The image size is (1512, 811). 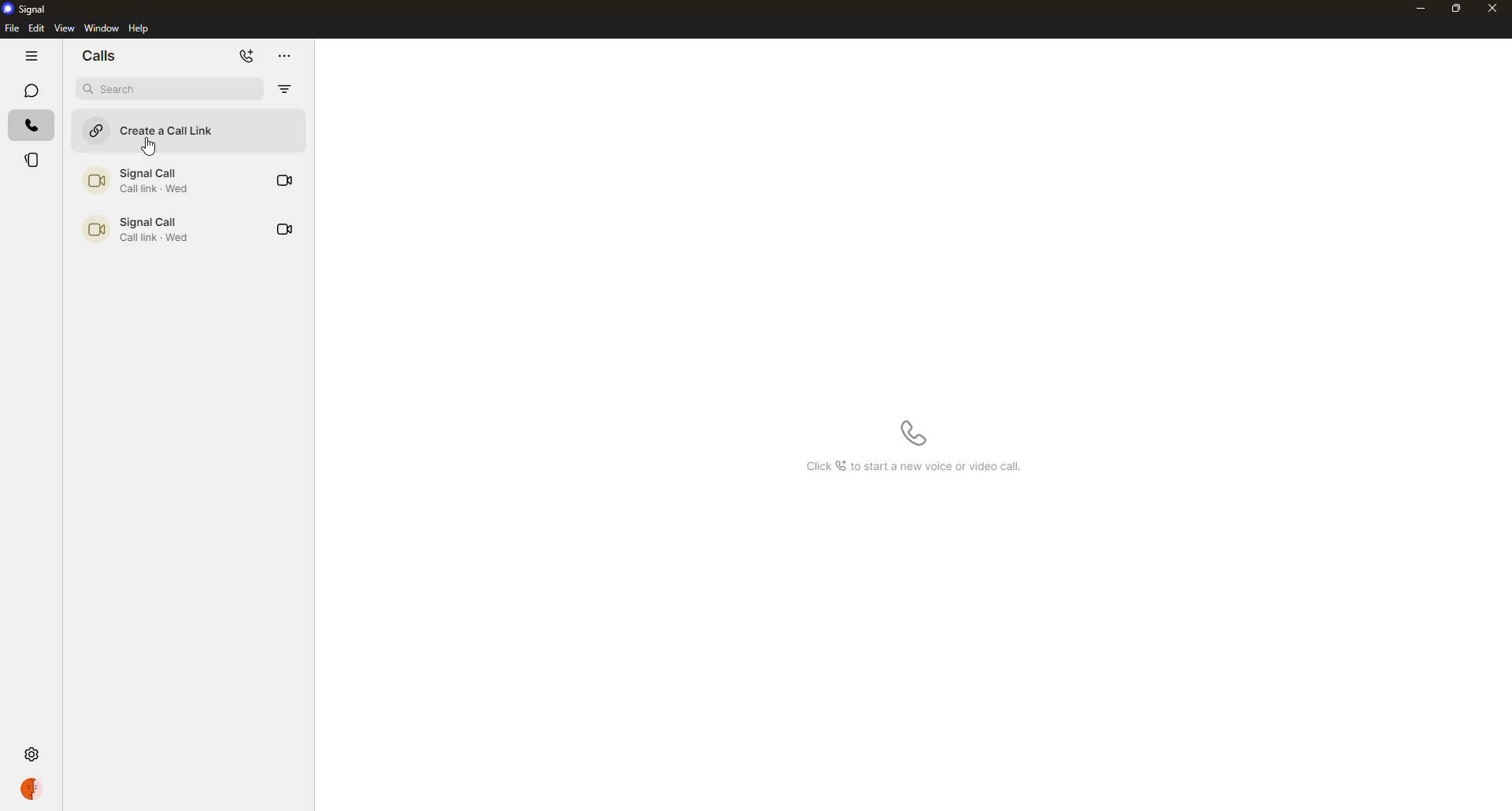 What do you see at coordinates (288, 56) in the screenshot?
I see `more` at bounding box center [288, 56].